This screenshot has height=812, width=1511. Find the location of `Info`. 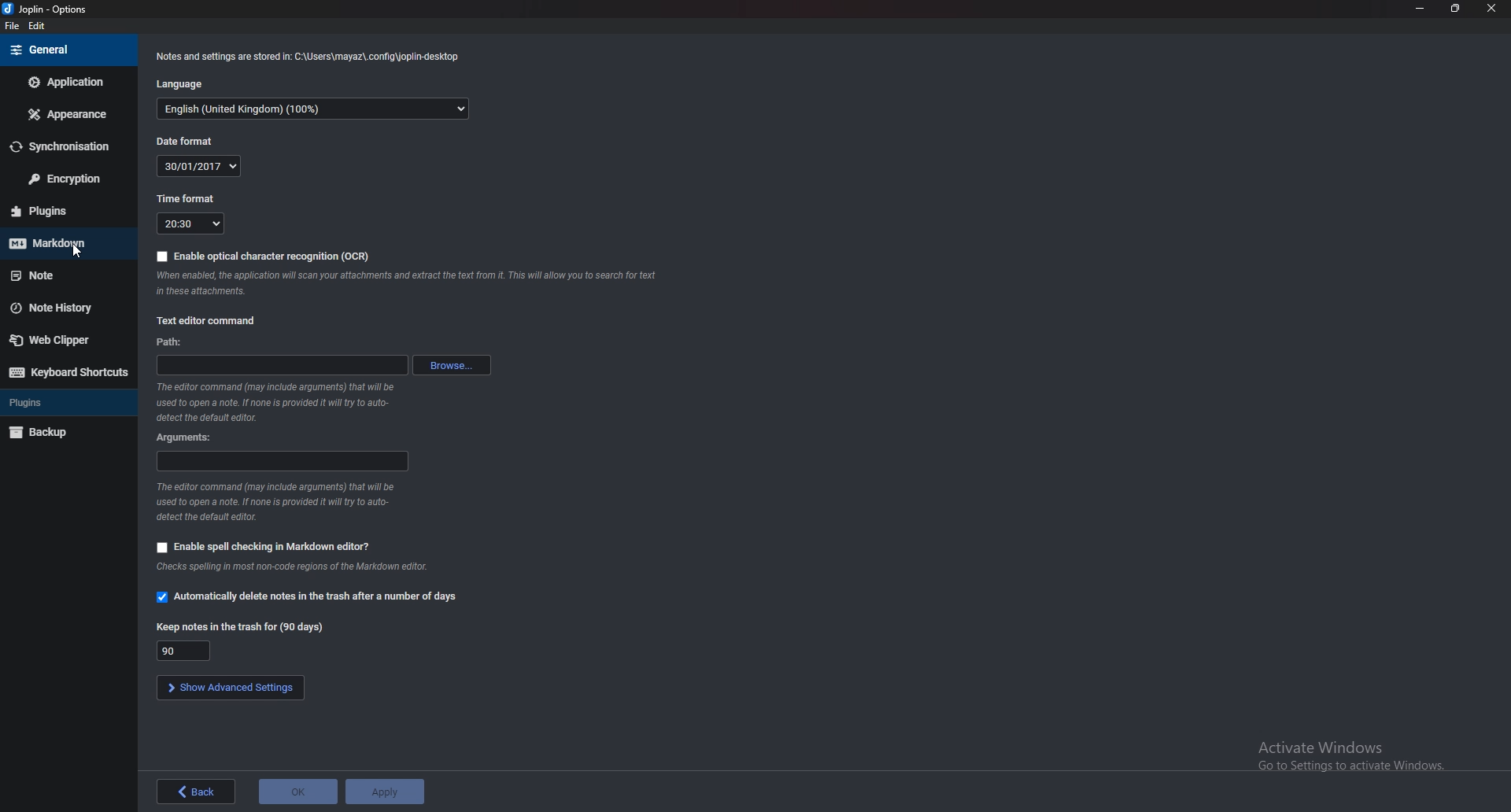

Info is located at coordinates (410, 284).